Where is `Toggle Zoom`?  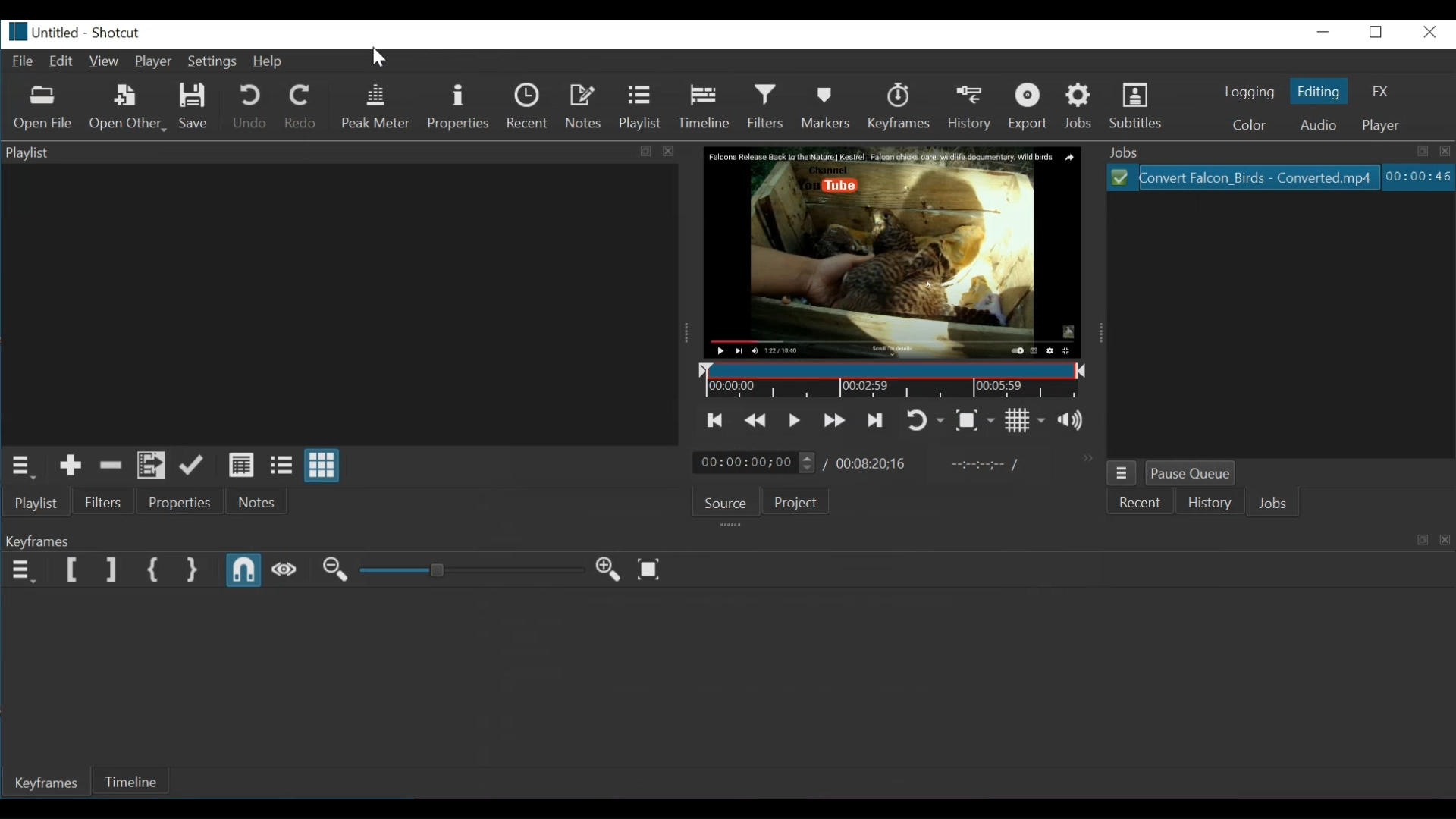
Toggle Zoom is located at coordinates (977, 420).